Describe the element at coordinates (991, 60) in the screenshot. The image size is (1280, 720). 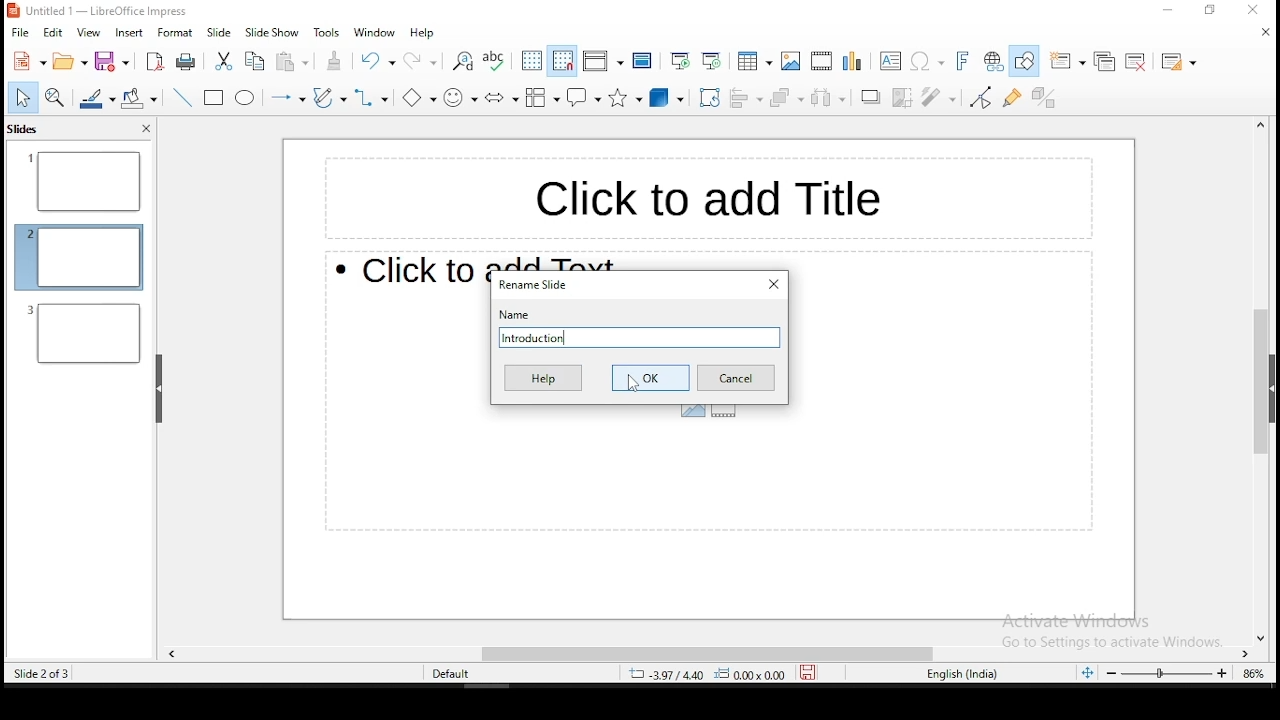
I see `insert hyperlink` at that location.